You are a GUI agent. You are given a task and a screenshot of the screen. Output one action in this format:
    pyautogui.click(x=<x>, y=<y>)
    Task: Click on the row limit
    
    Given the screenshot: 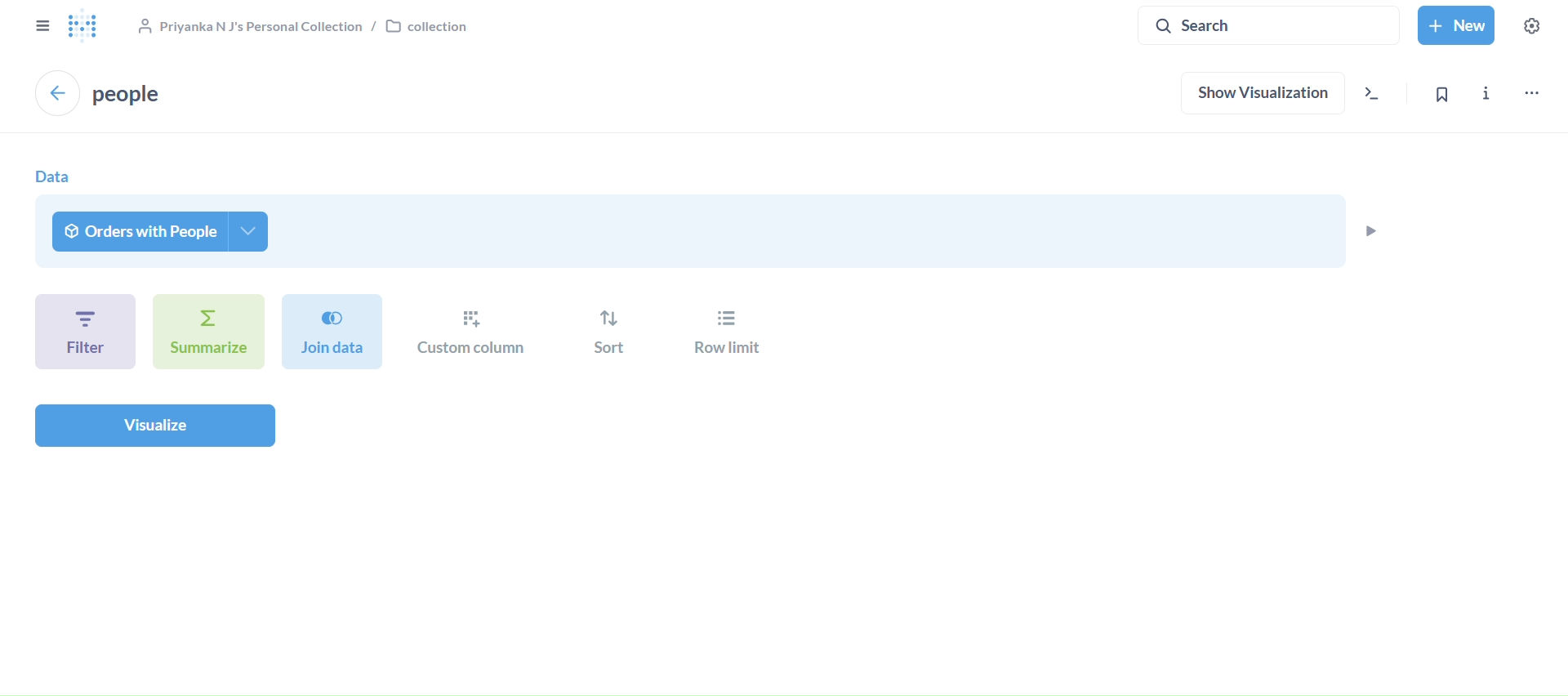 What is the action you would take?
    pyautogui.click(x=722, y=334)
    